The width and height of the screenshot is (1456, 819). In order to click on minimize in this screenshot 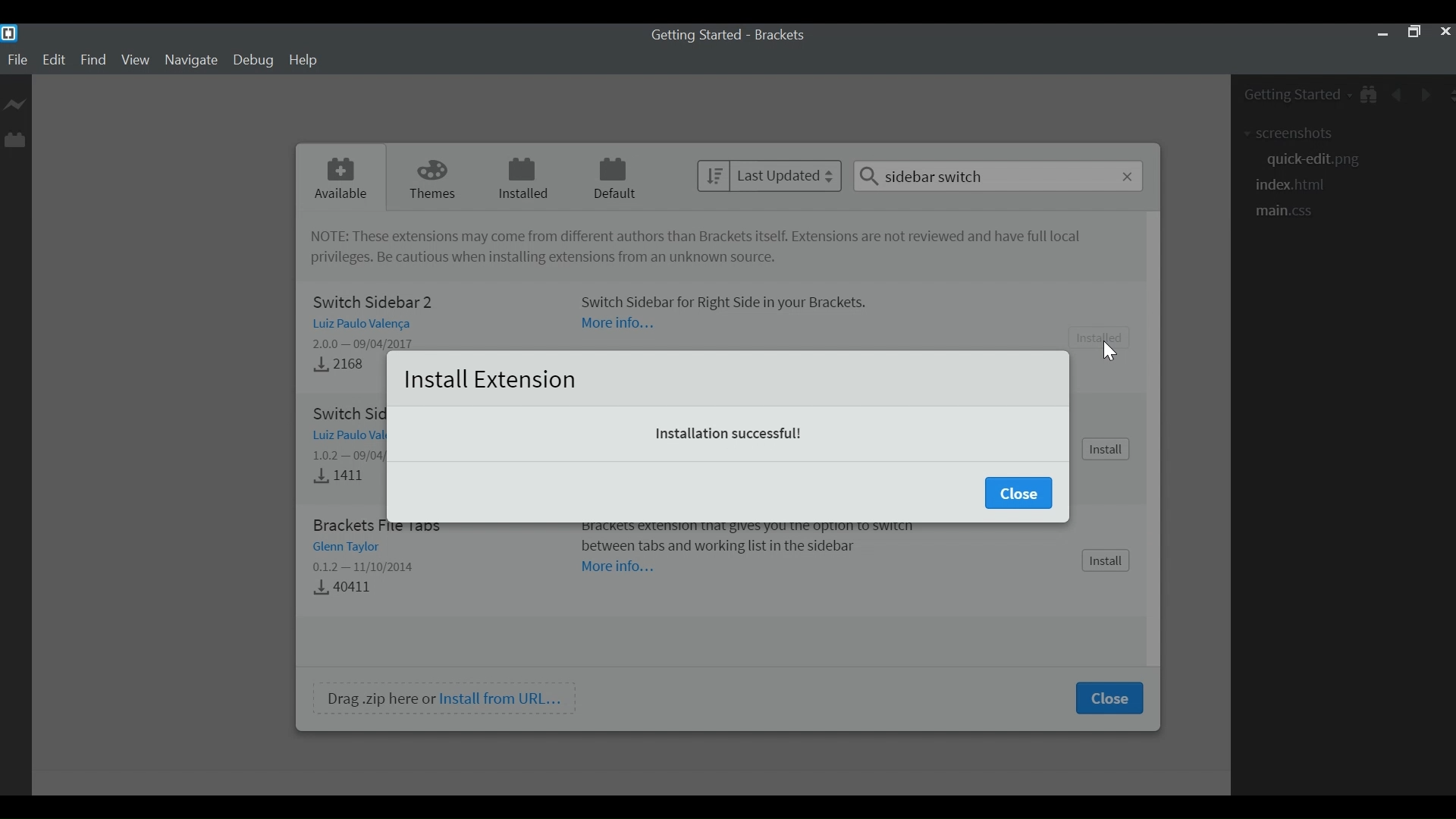, I will do `click(1382, 33)`.